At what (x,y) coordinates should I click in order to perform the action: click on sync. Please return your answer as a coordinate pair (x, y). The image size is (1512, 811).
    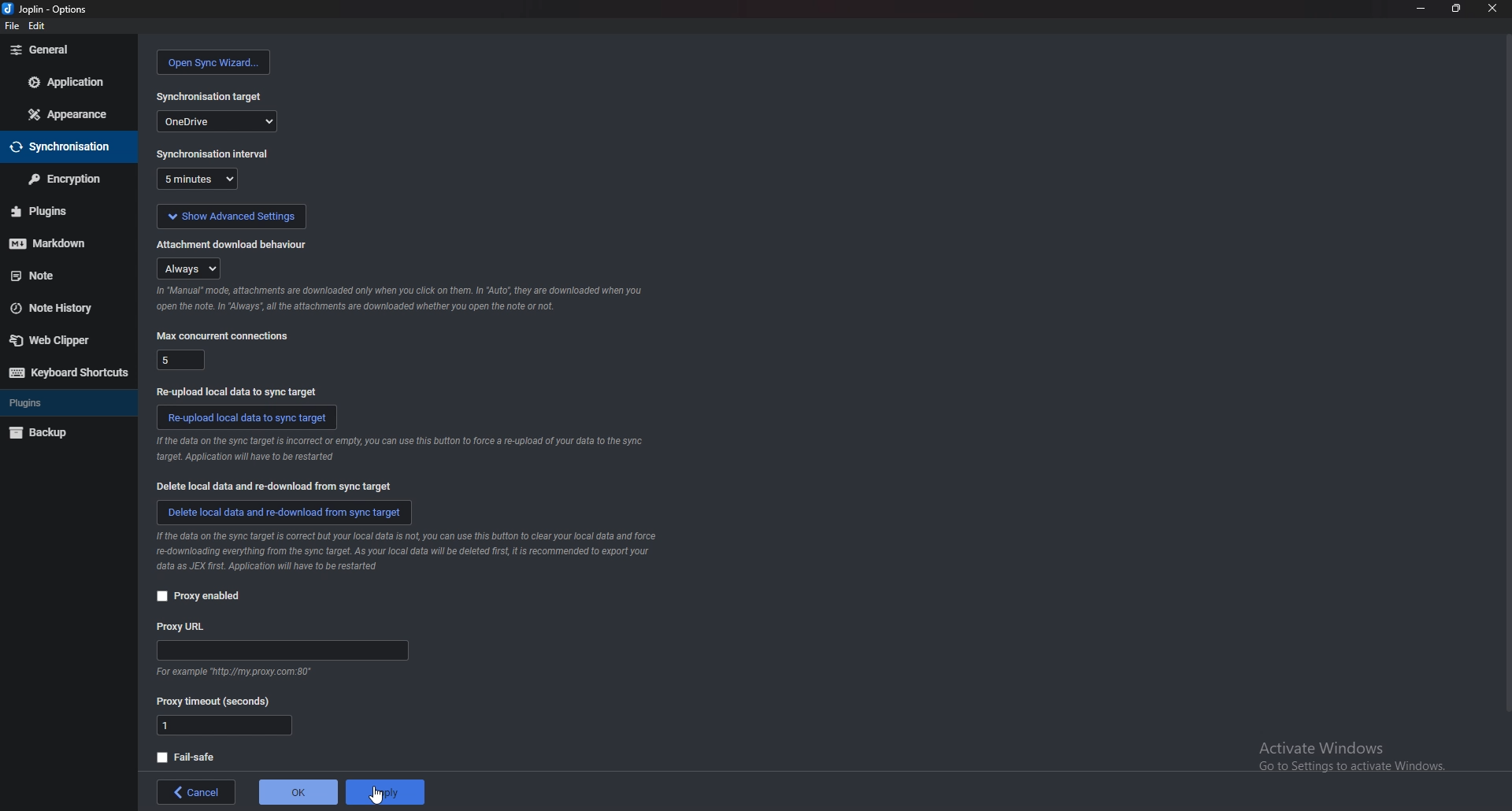
    Looking at the image, I should click on (65, 146).